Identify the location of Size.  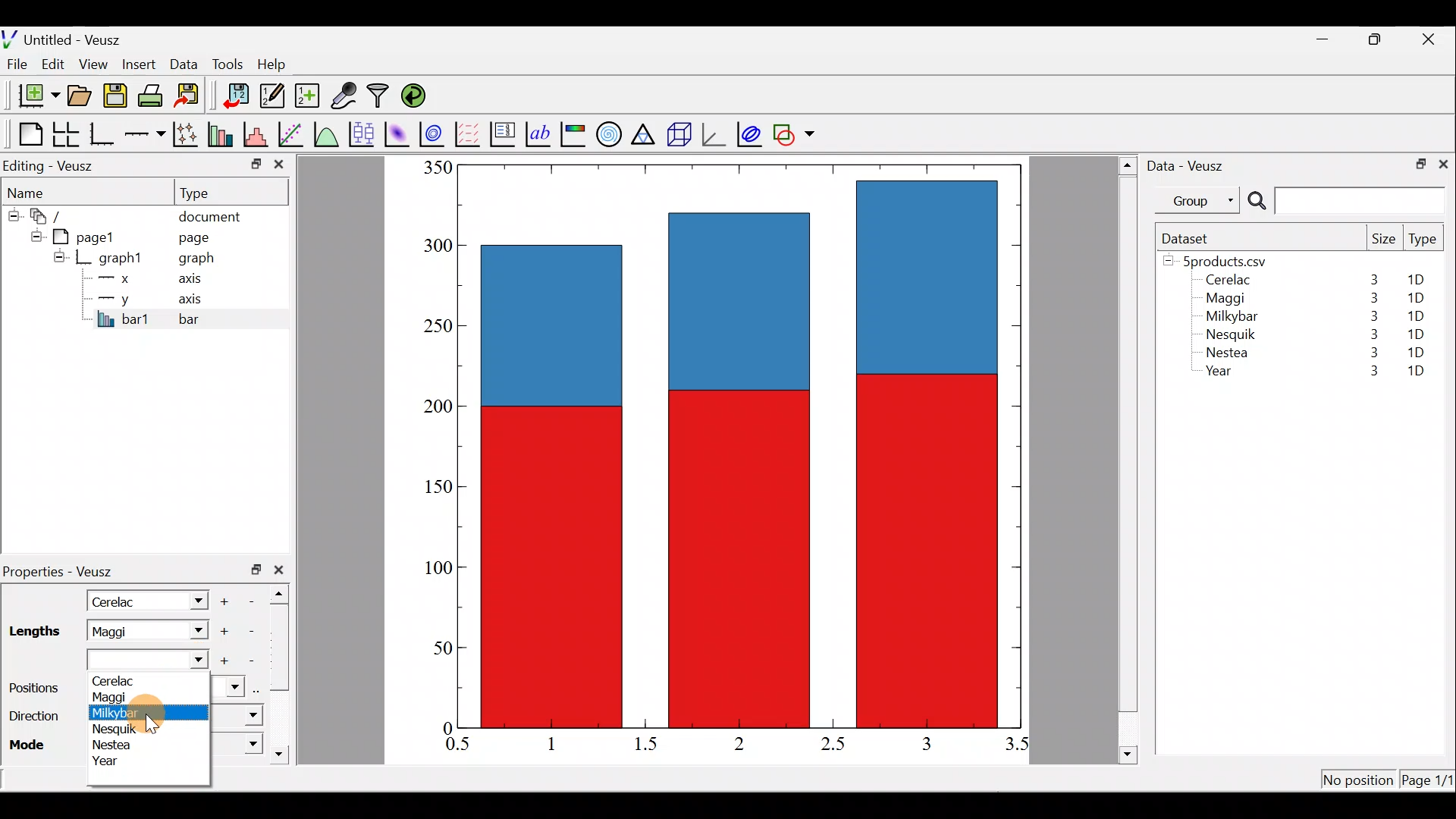
(1383, 240).